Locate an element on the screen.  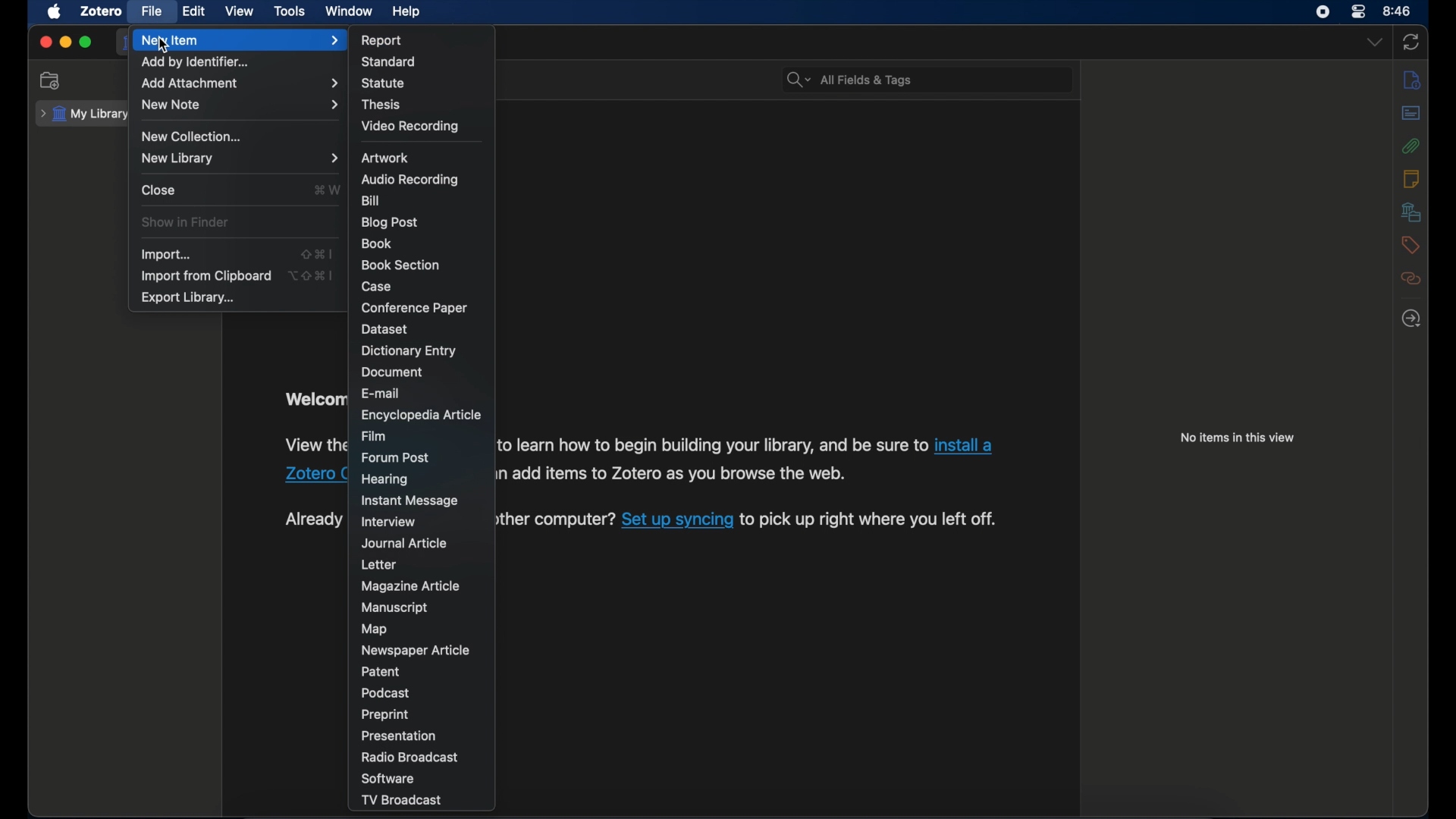
tools is located at coordinates (290, 11).